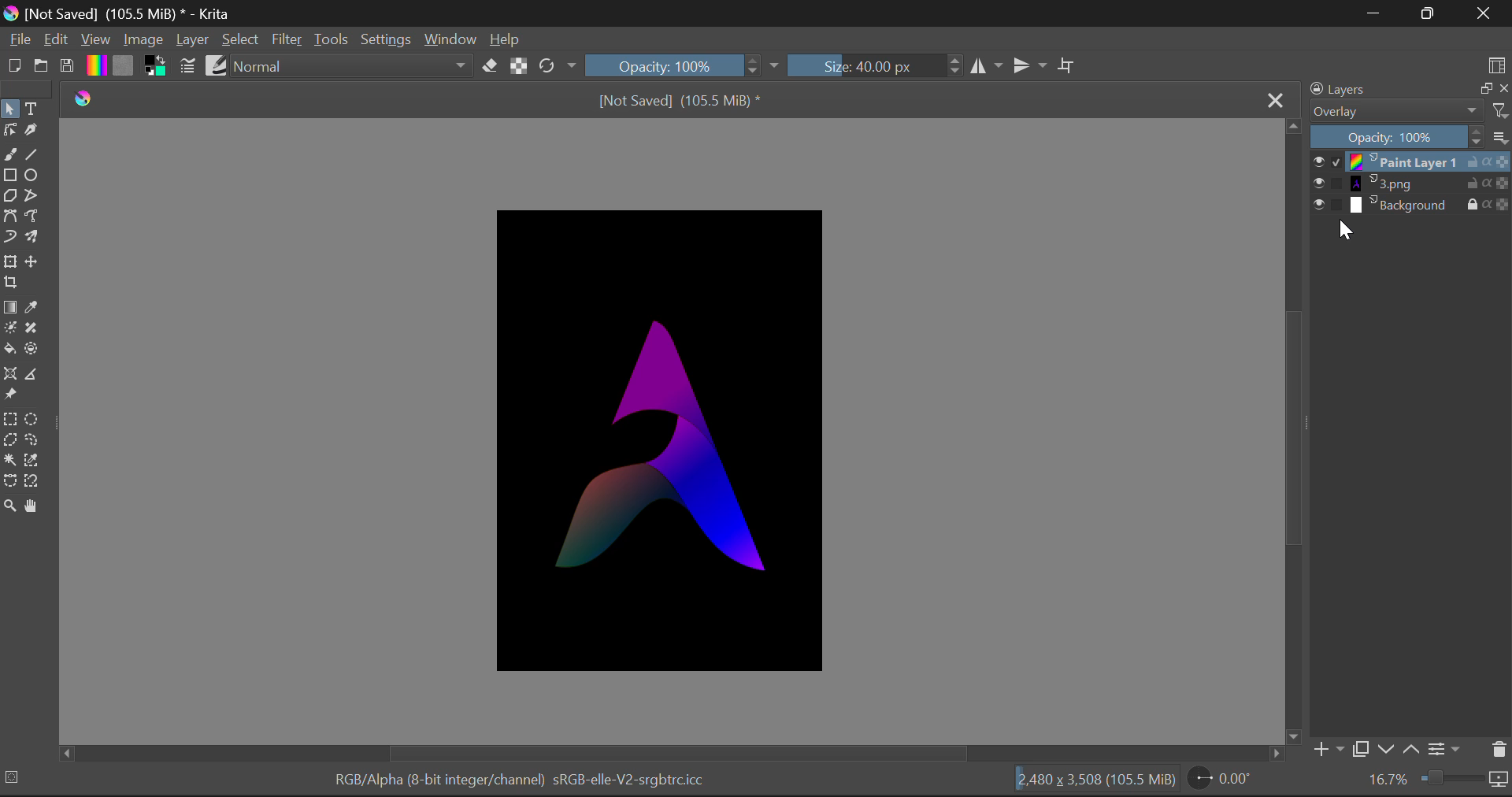 The image size is (1512, 797). I want to click on Tools, so click(335, 39).